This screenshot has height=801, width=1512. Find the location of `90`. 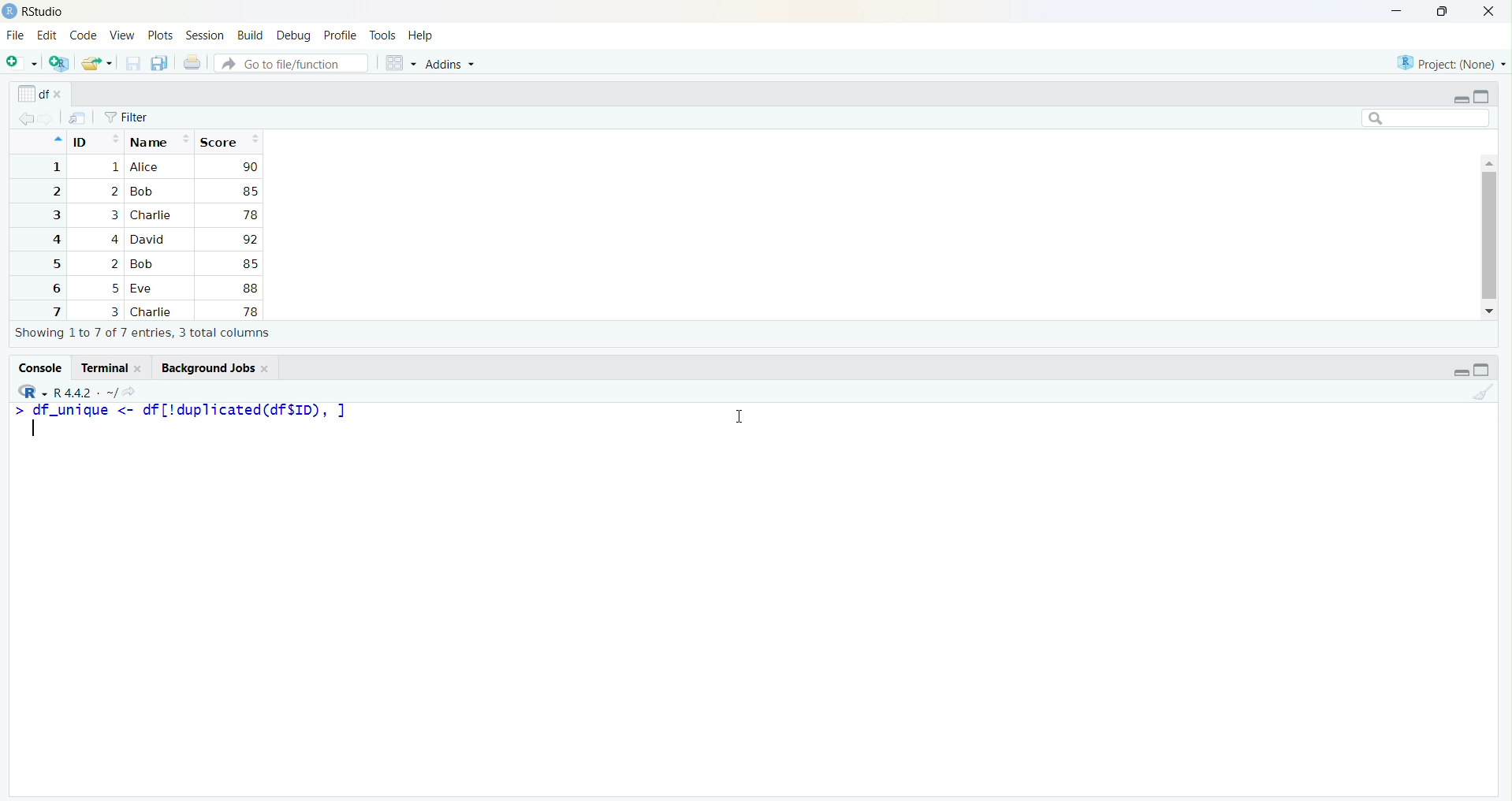

90 is located at coordinates (250, 166).